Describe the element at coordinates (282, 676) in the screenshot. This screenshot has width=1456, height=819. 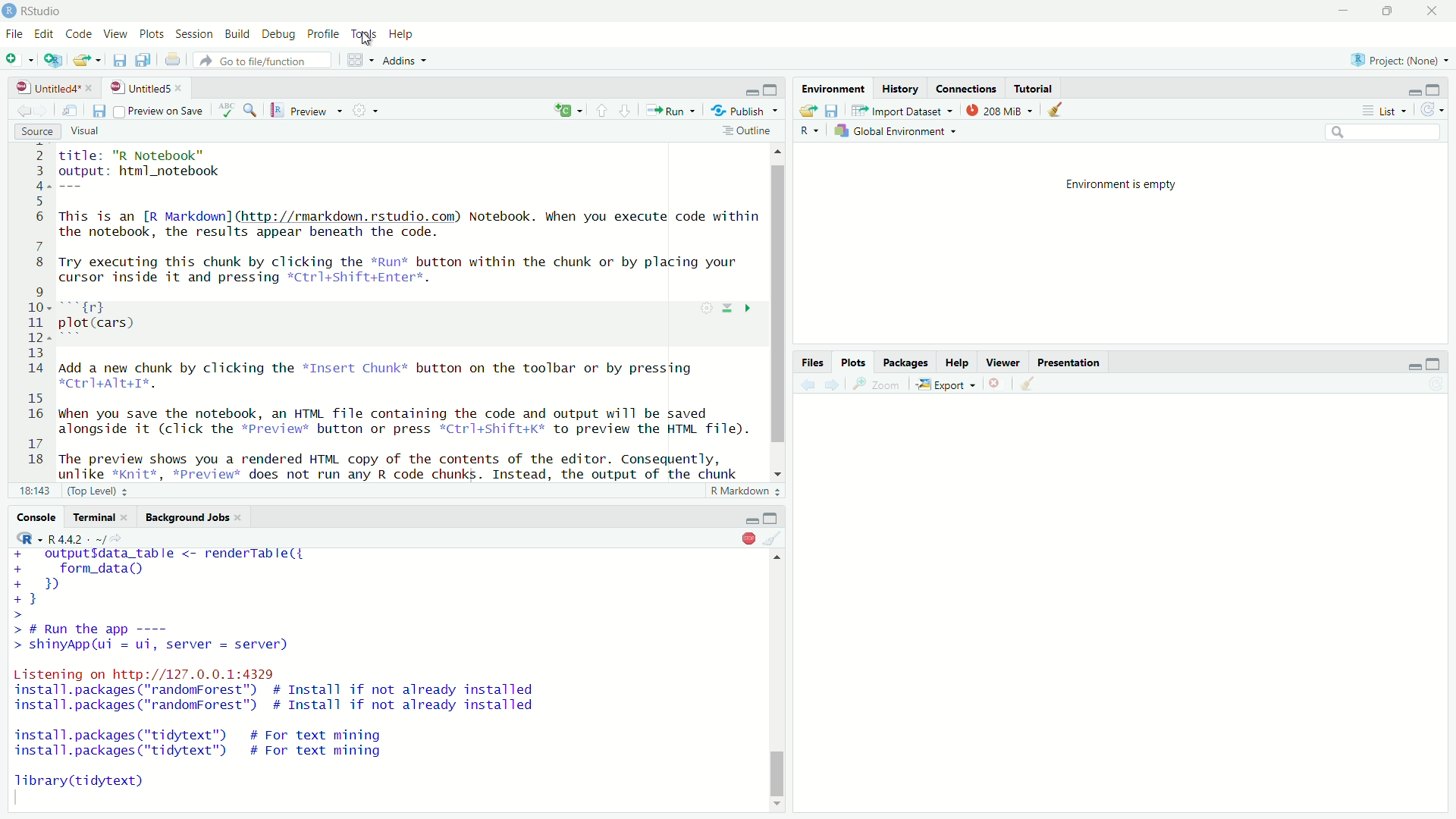
I see `+ outputfdata_table <- renderTable({+ form_data()+B+}>> # Run the app ----> shinyApp(ui = ui, server = server)Listening on http://127.0.0.1:4329install.packages ("randomForest") # Install if not already installedinstall.packages ("randomForest") # Install if not already installedinstall.packages ("tidytext") # For text mininginstall.packages ("tidytext") # For text miningTibrary(tidytext)` at that location.